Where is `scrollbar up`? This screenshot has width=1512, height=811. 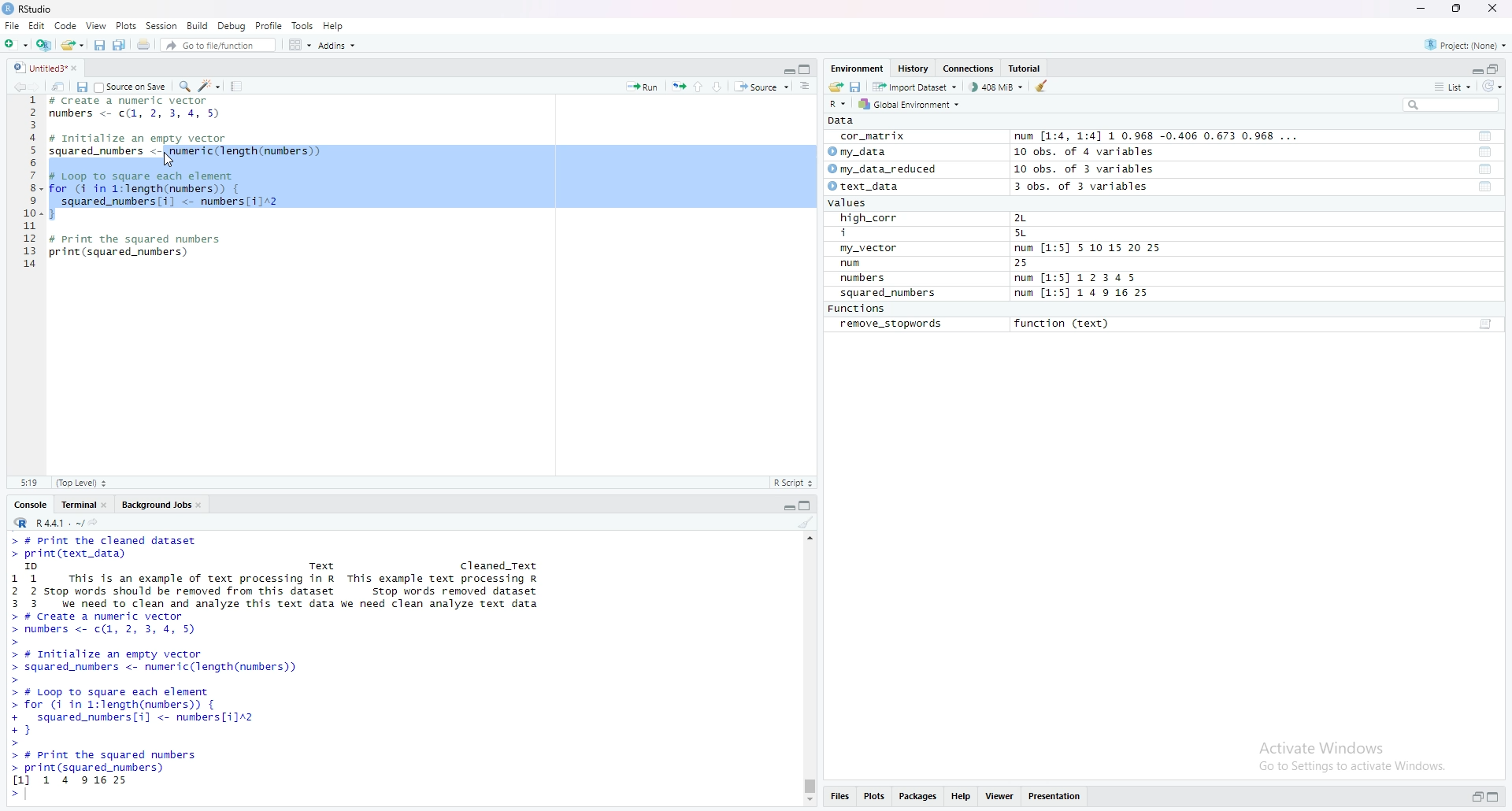
scrollbar up is located at coordinates (808, 536).